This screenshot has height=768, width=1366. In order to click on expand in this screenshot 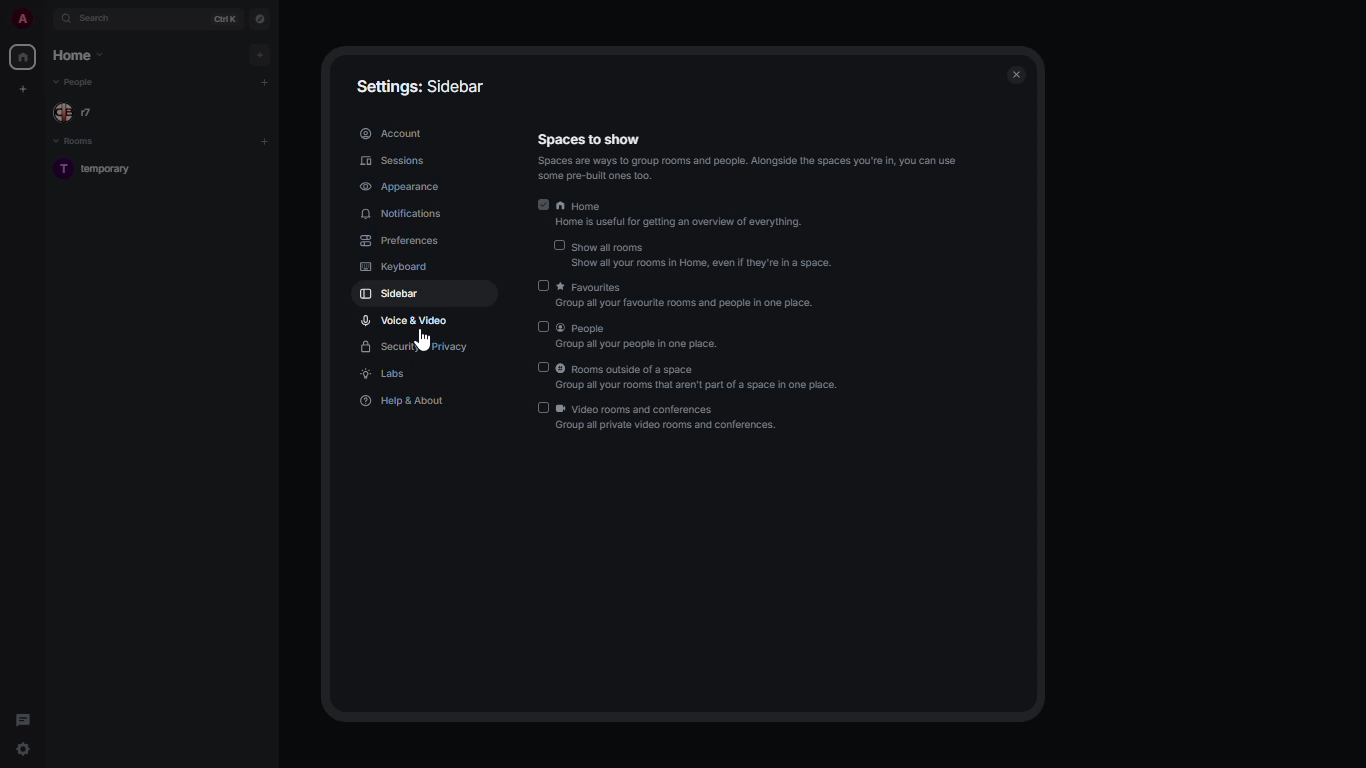, I will do `click(46, 18)`.